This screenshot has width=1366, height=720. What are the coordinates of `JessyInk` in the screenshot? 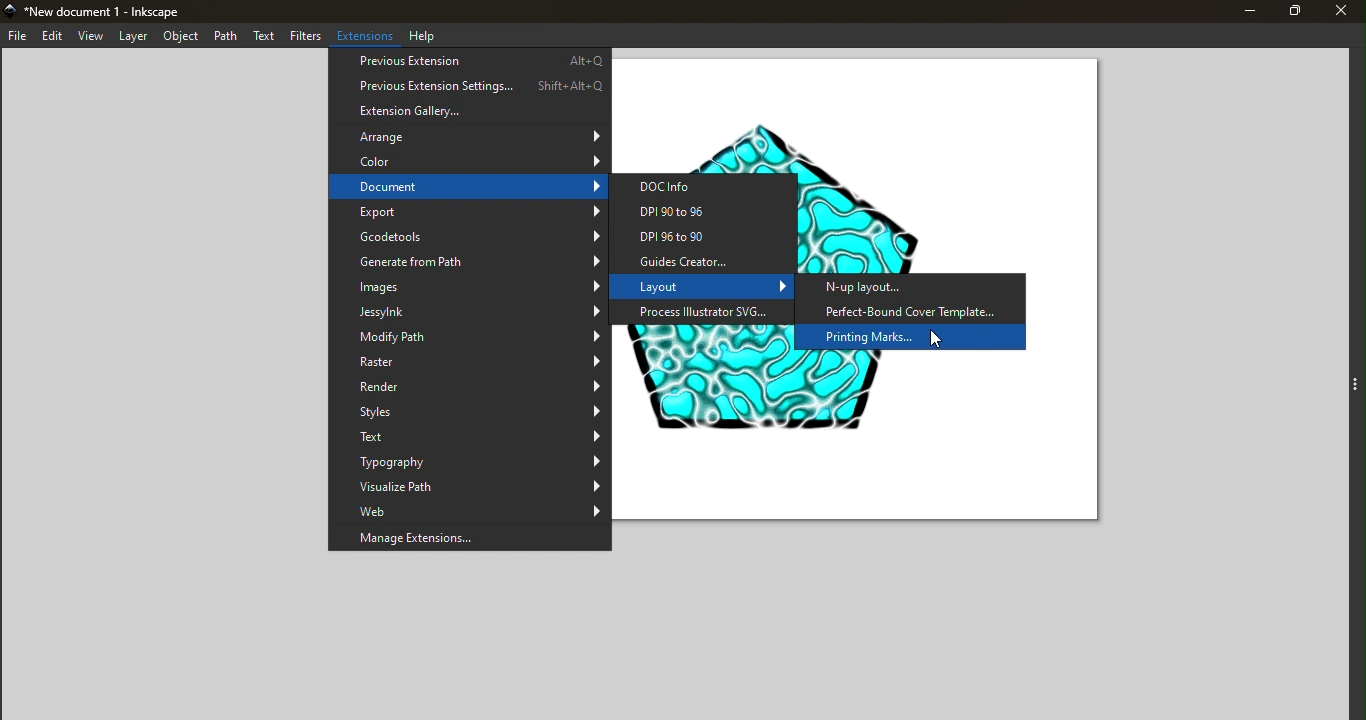 It's located at (468, 311).